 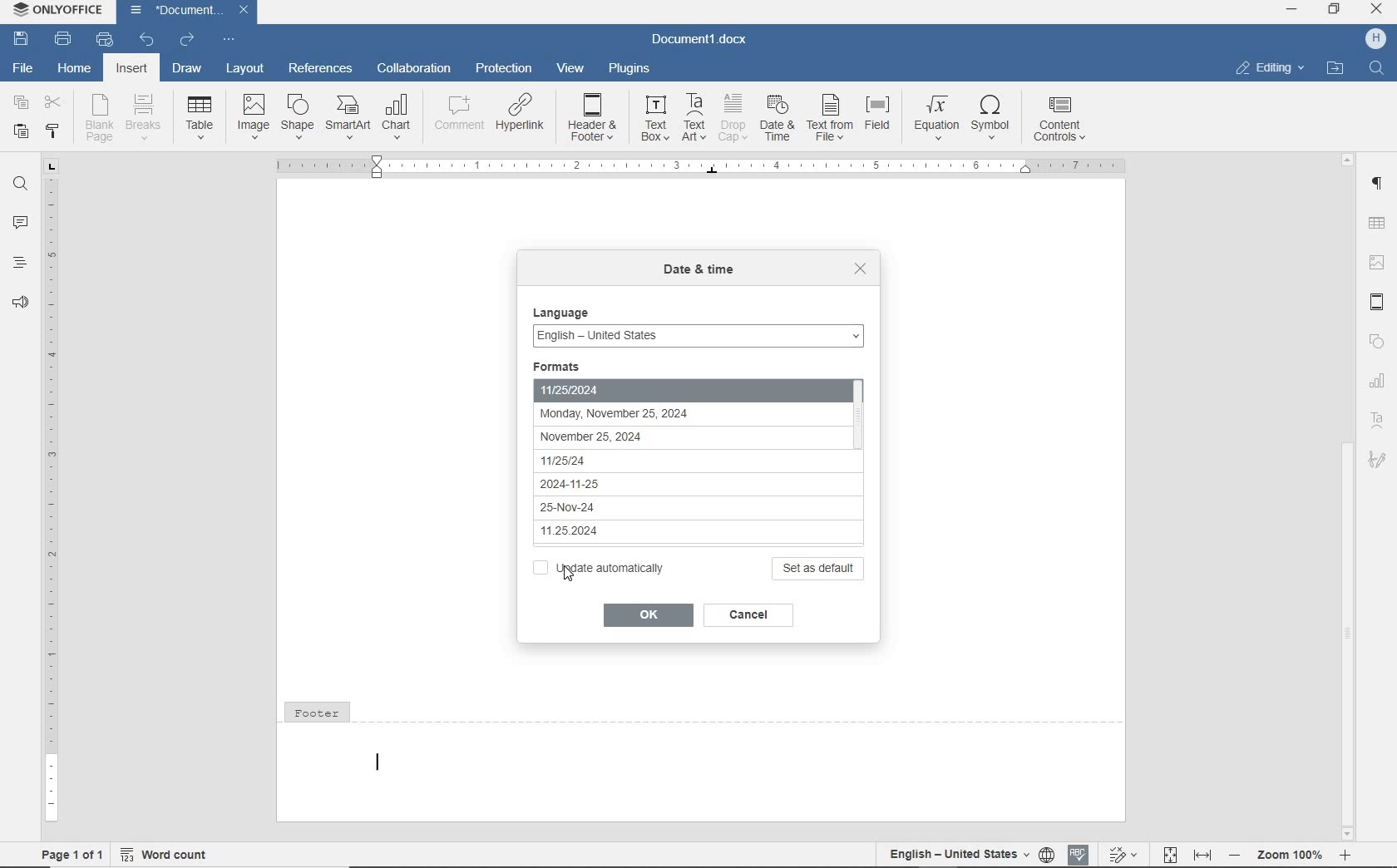 What do you see at coordinates (1288, 854) in the screenshot?
I see `zoom 100%` at bounding box center [1288, 854].